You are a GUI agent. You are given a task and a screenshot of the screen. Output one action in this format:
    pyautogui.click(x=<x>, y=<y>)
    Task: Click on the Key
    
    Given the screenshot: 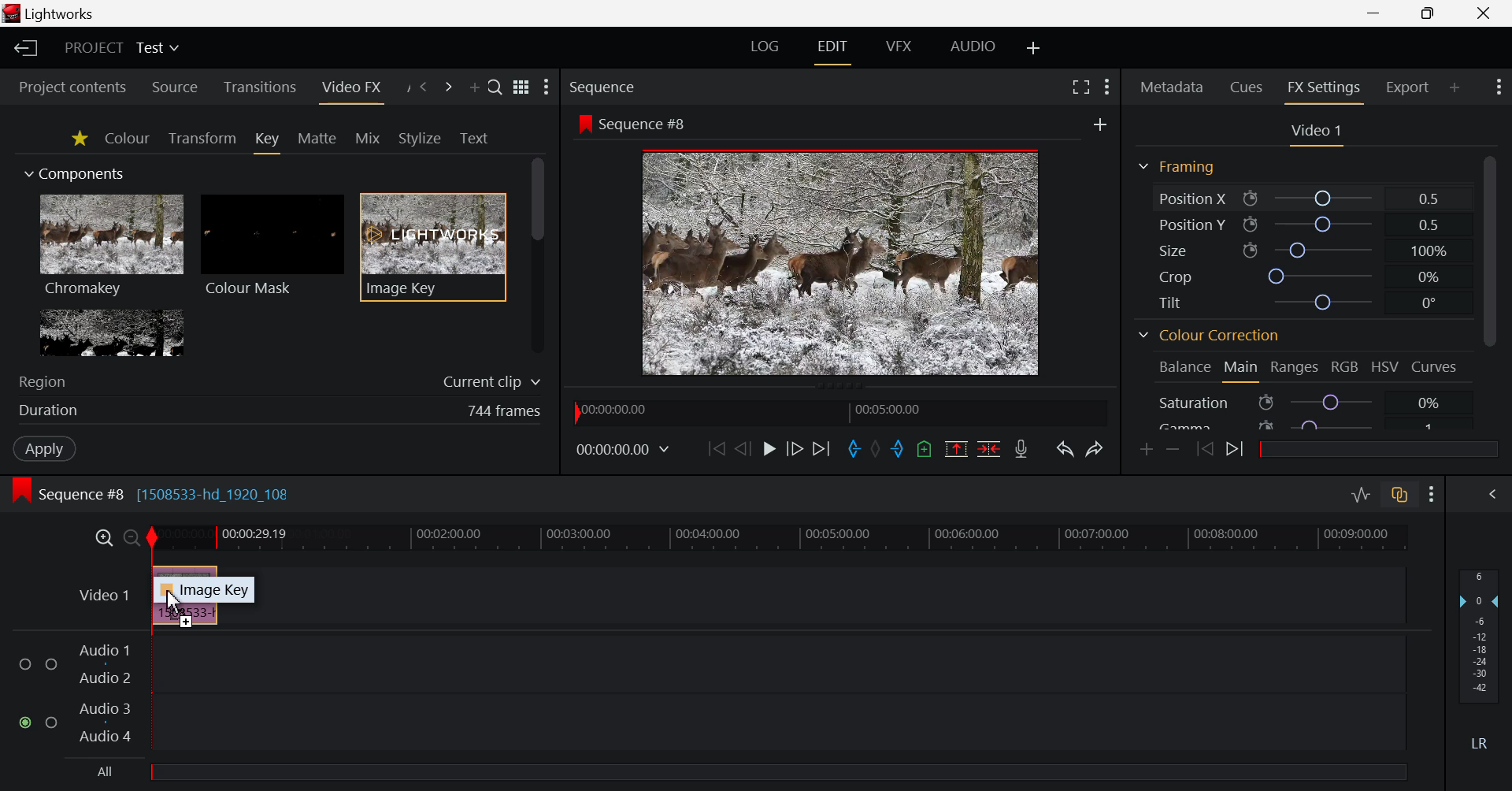 What is the action you would take?
    pyautogui.click(x=268, y=143)
    